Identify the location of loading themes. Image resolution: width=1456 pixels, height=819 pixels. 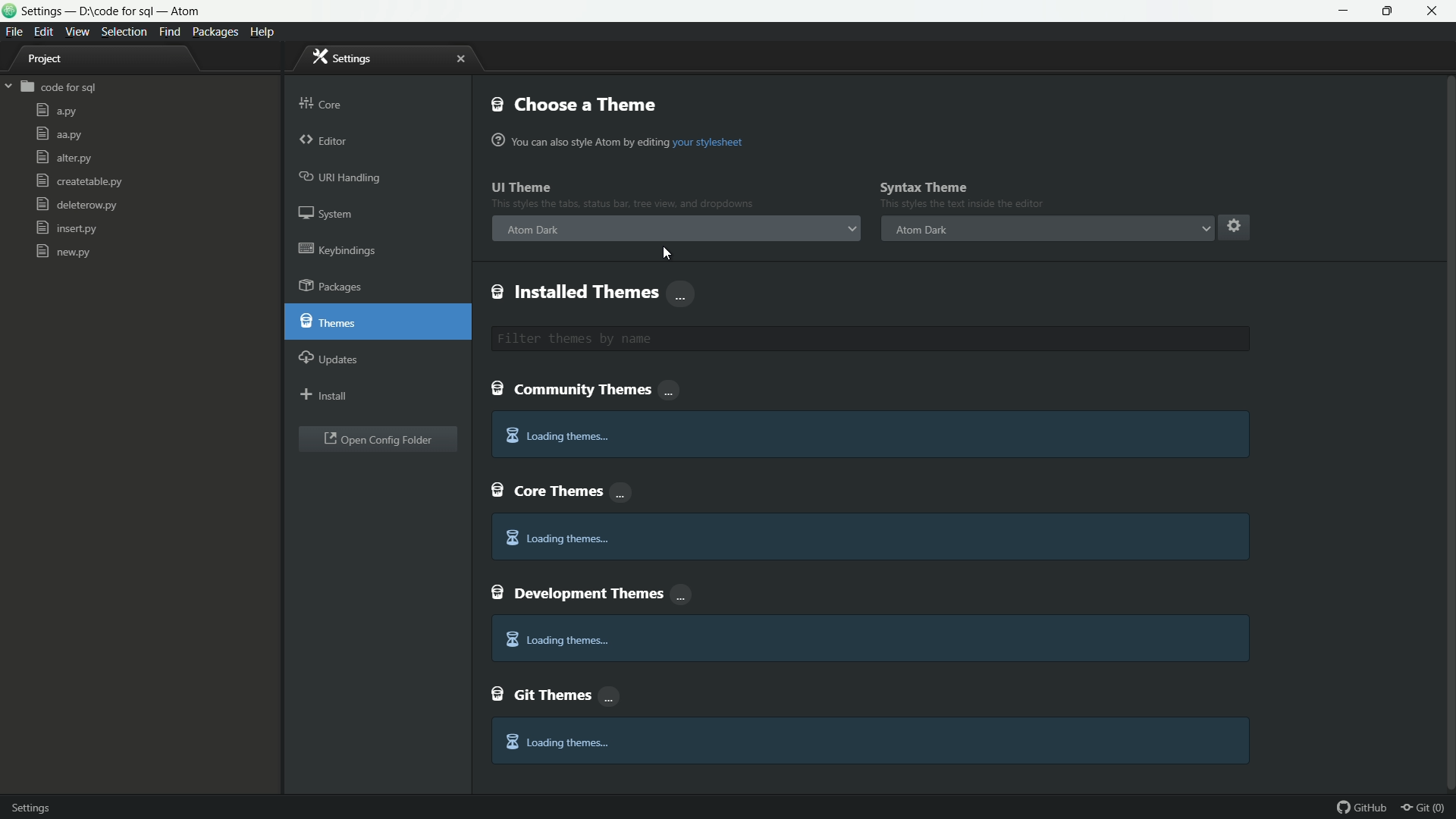
(557, 437).